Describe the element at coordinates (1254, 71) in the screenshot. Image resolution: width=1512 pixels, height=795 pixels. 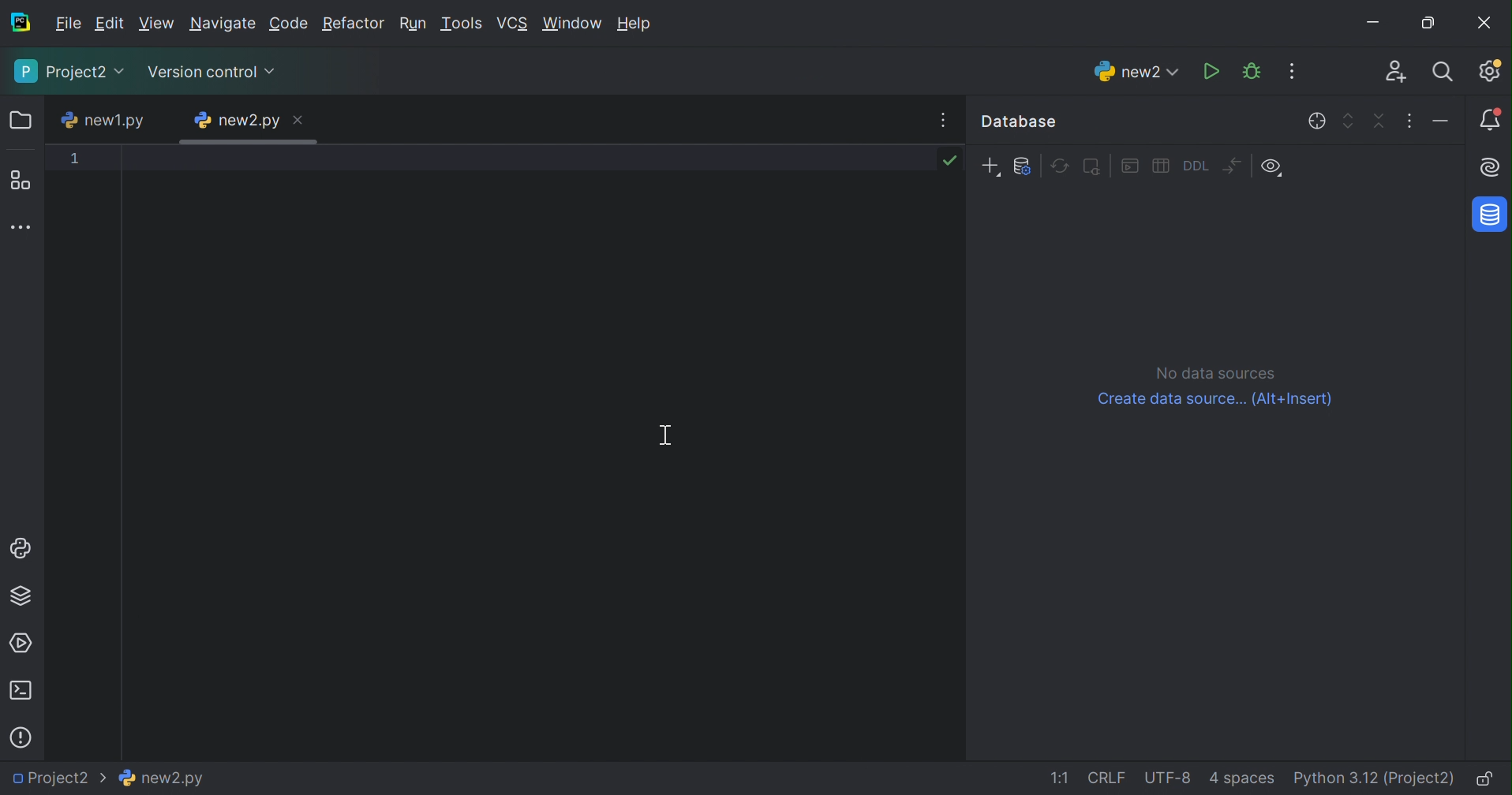
I see `Debug` at that location.